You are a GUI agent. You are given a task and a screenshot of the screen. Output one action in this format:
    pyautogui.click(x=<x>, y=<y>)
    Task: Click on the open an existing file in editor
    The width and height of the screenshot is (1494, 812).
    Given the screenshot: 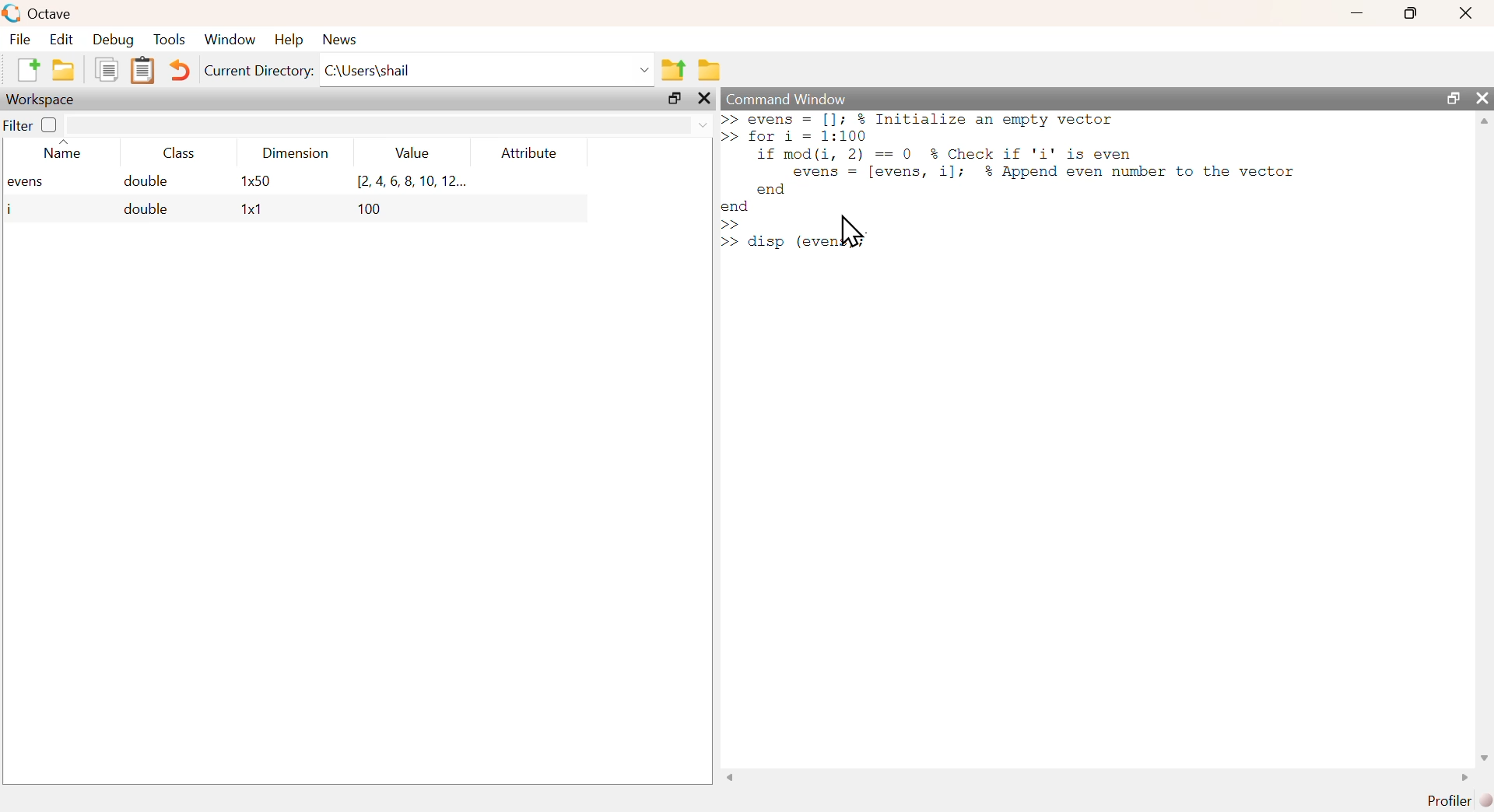 What is the action you would take?
    pyautogui.click(x=63, y=69)
    